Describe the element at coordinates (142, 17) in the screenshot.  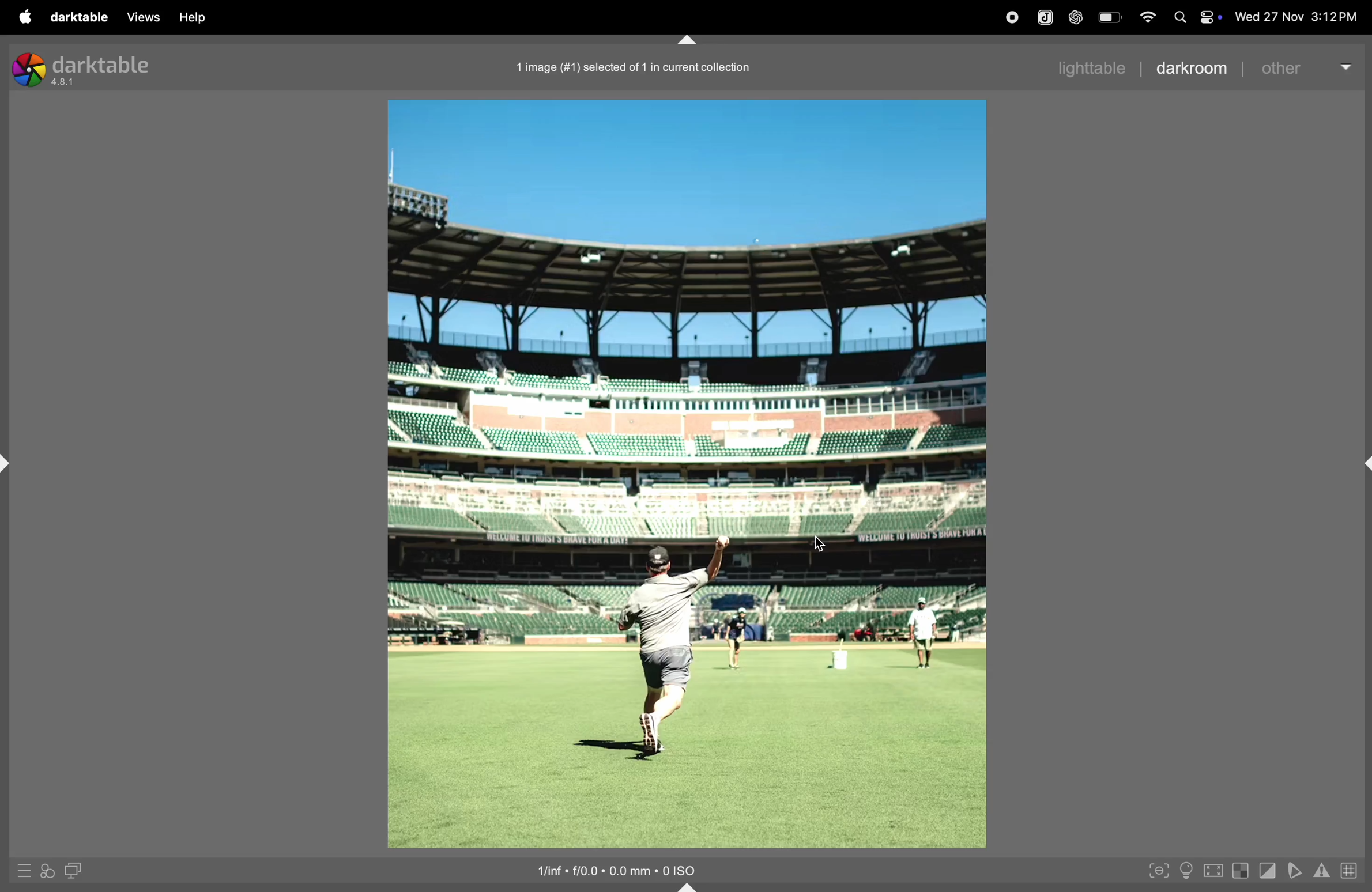
I see `views` at that location.